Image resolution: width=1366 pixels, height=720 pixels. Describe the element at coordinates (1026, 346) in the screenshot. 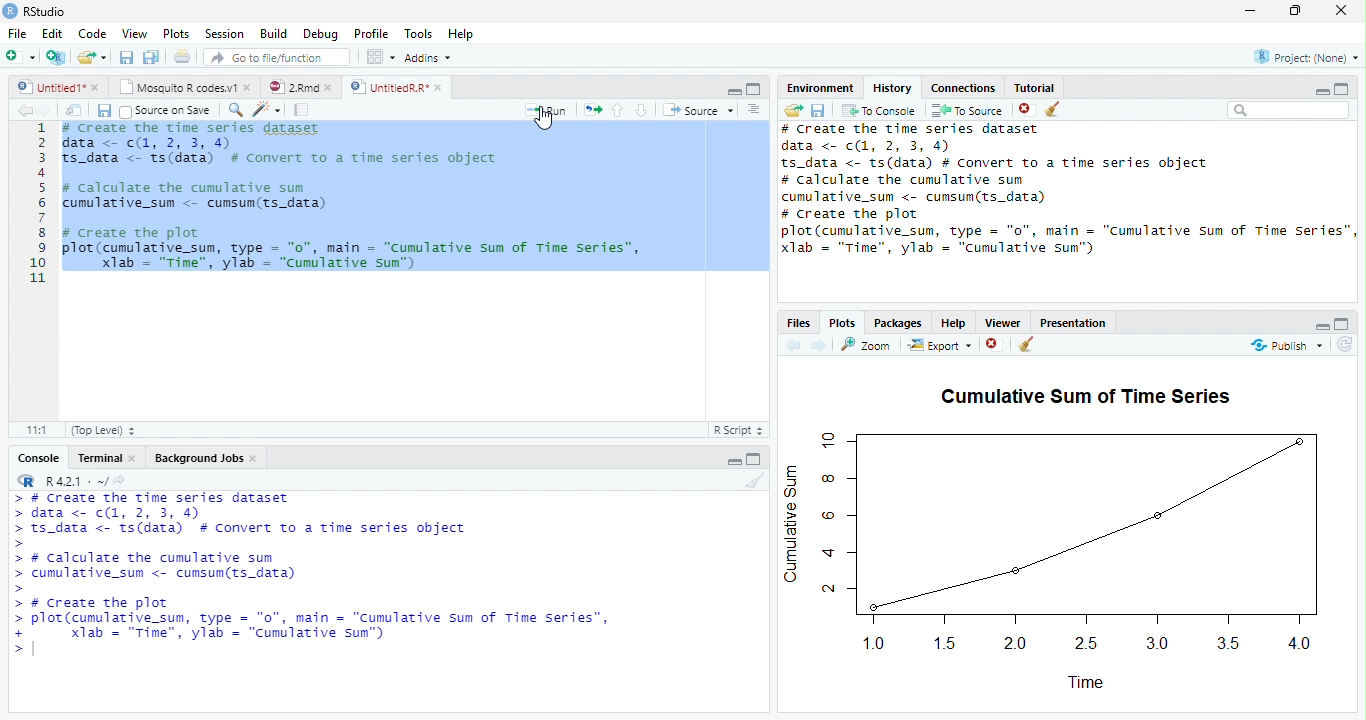

I see `Clear Console` at that location.